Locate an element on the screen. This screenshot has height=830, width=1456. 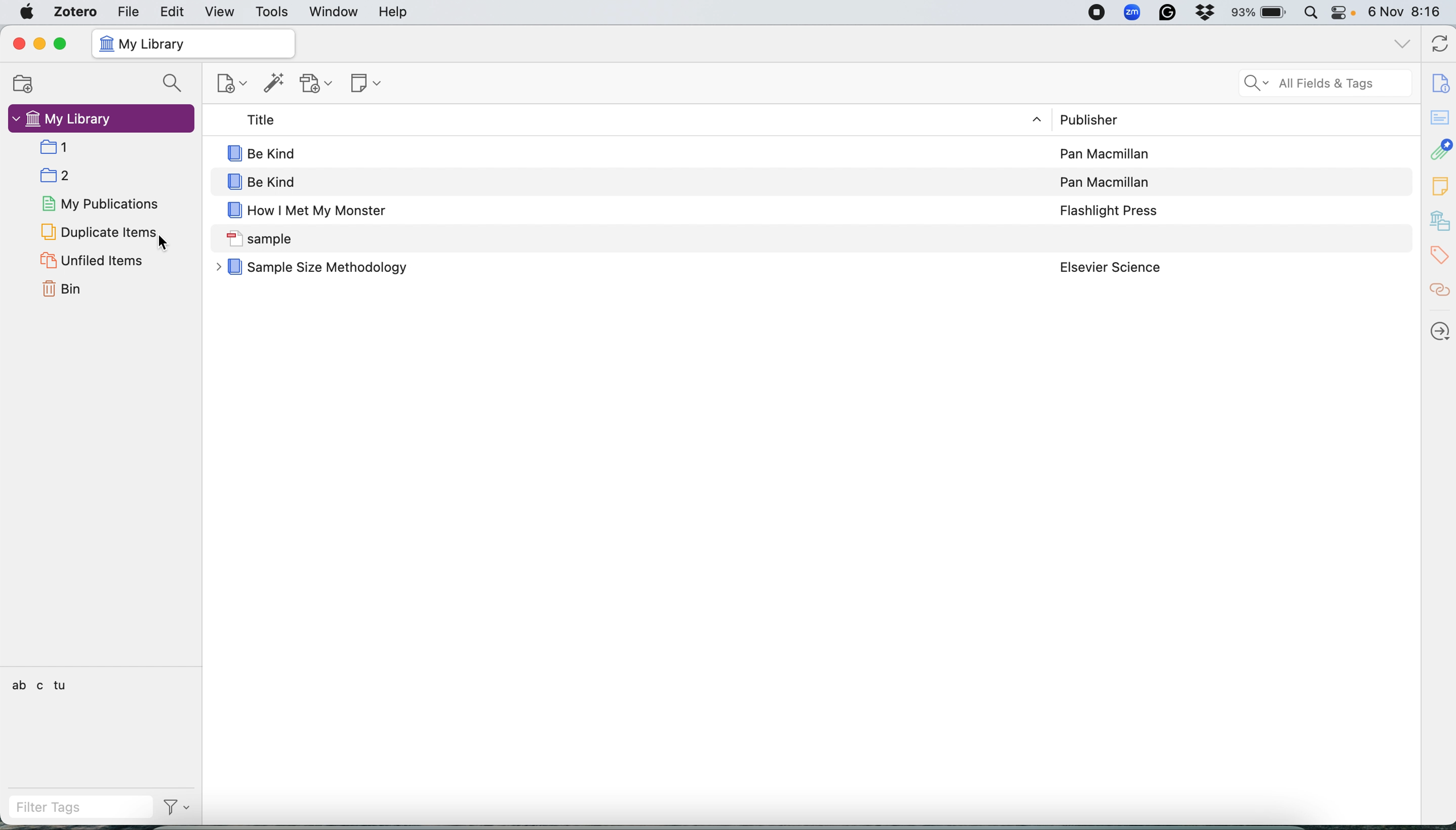
maximize is located at coordinates (66, 43).